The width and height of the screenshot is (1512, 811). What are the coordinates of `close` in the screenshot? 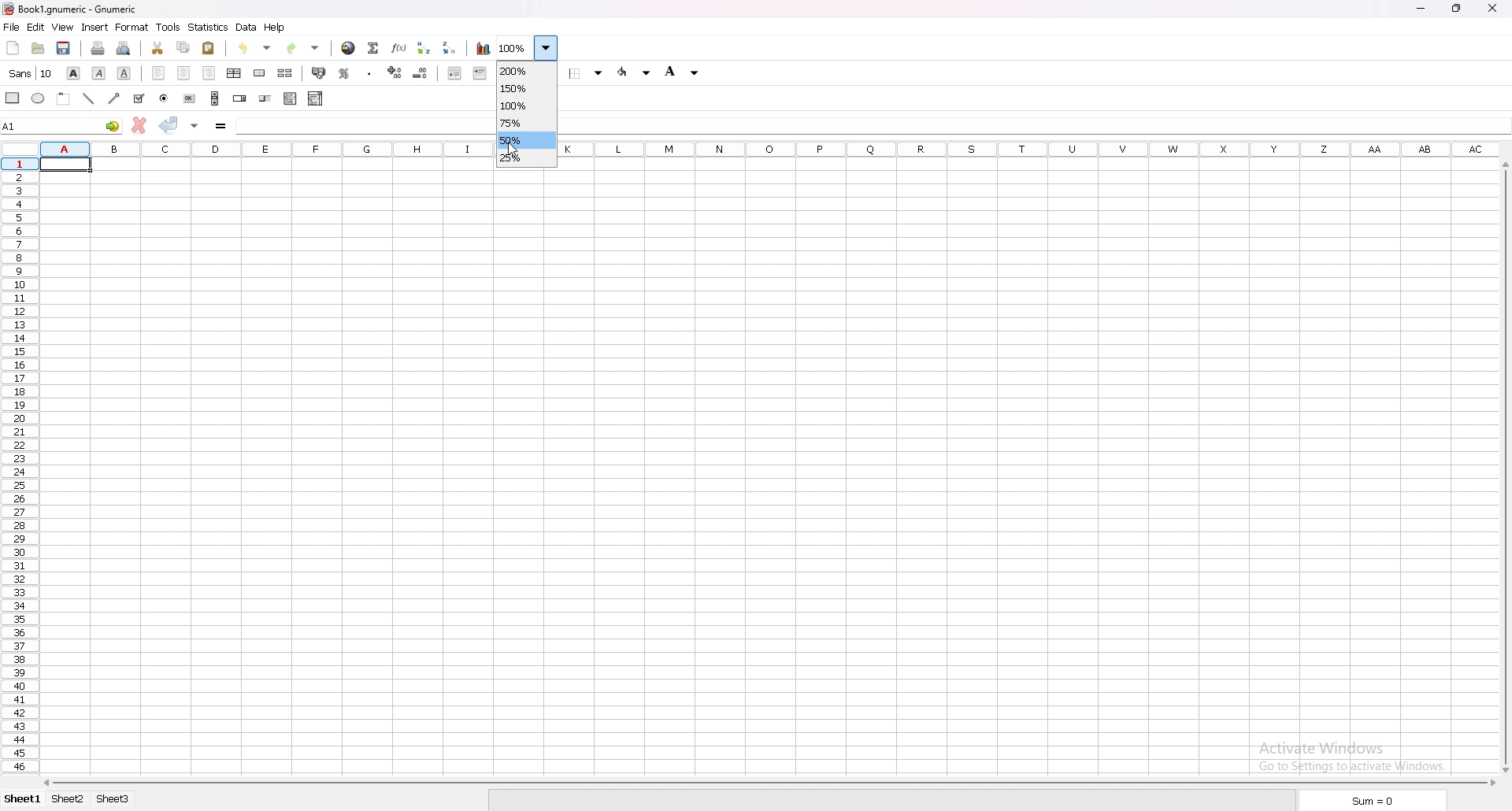 It's located at (1493, 9).